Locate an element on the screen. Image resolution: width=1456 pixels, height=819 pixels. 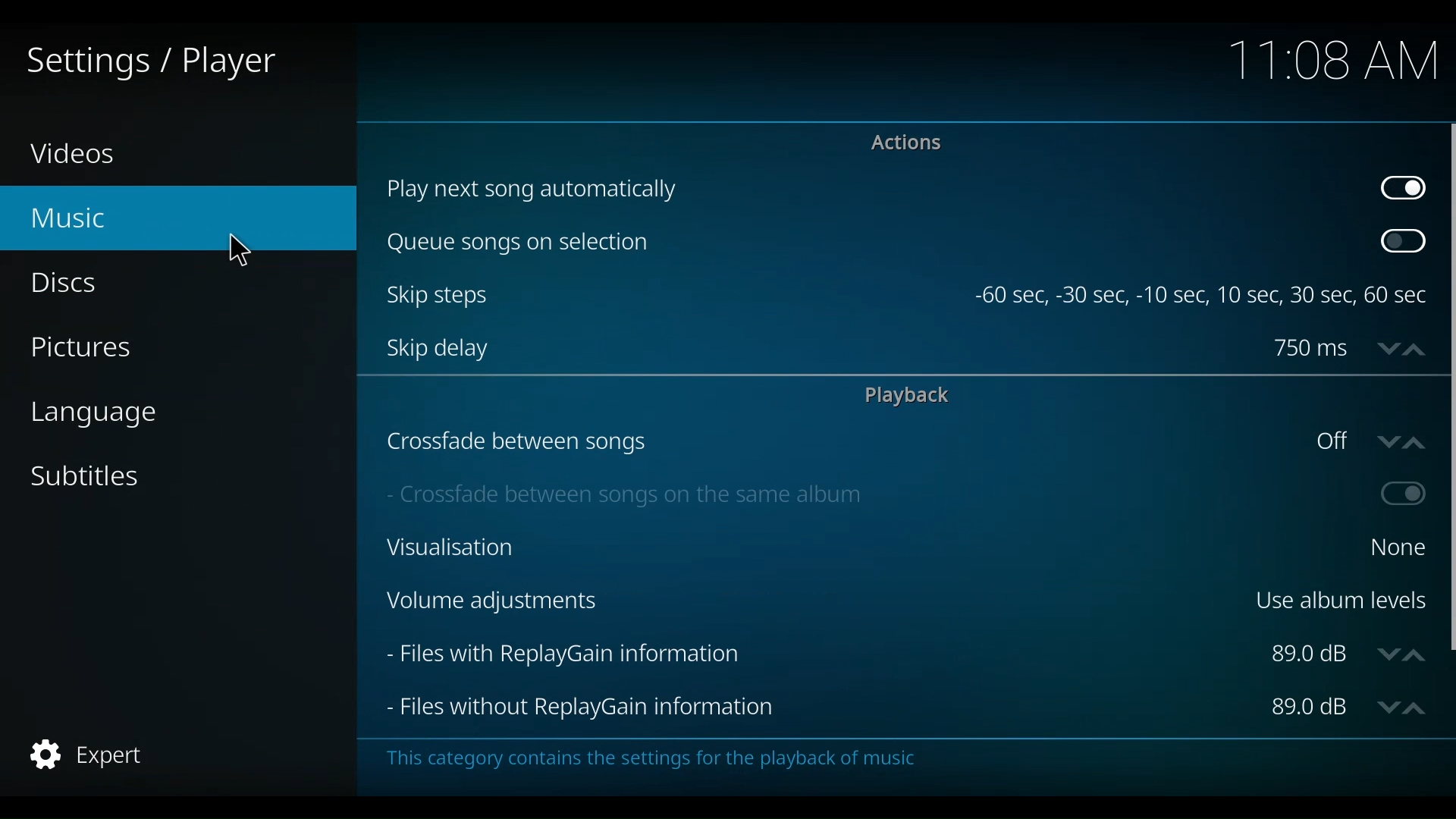
This category contains the settings for the playback of music is located at coordinates (680, 760).